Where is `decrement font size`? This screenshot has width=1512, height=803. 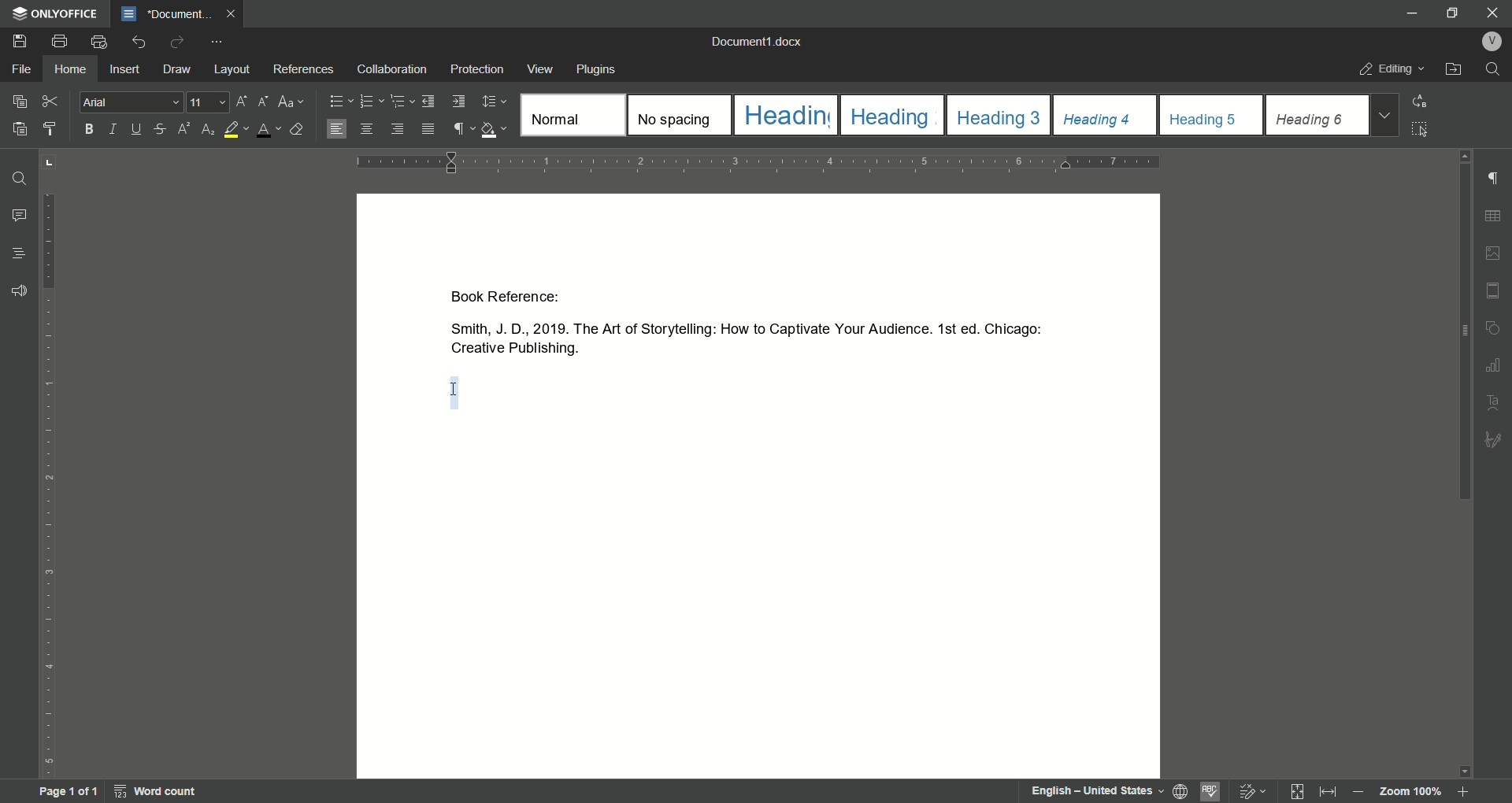 decrement font size is located at coordinates (261, 101).